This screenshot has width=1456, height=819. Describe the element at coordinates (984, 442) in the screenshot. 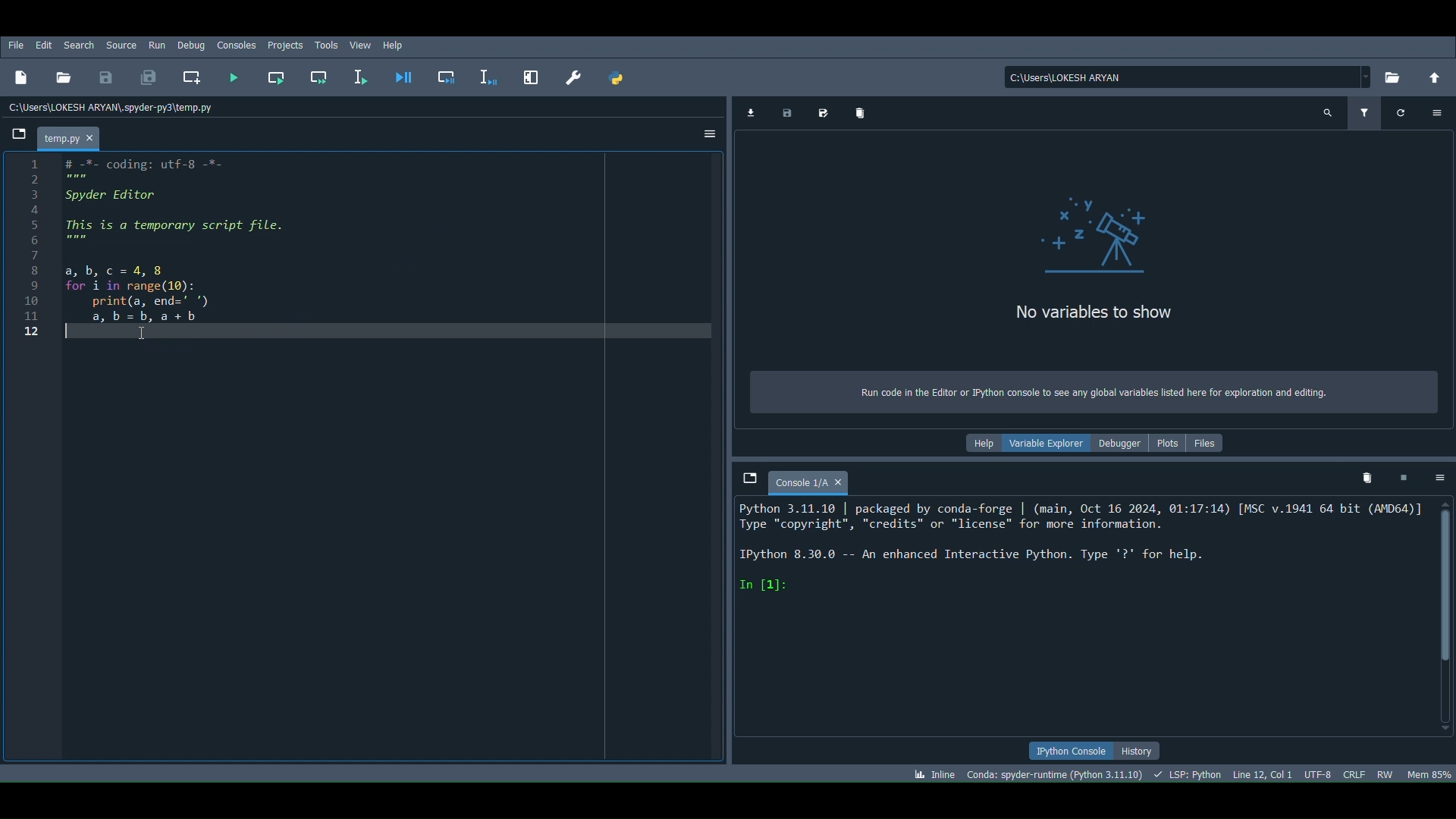

I see `Help` at that location.